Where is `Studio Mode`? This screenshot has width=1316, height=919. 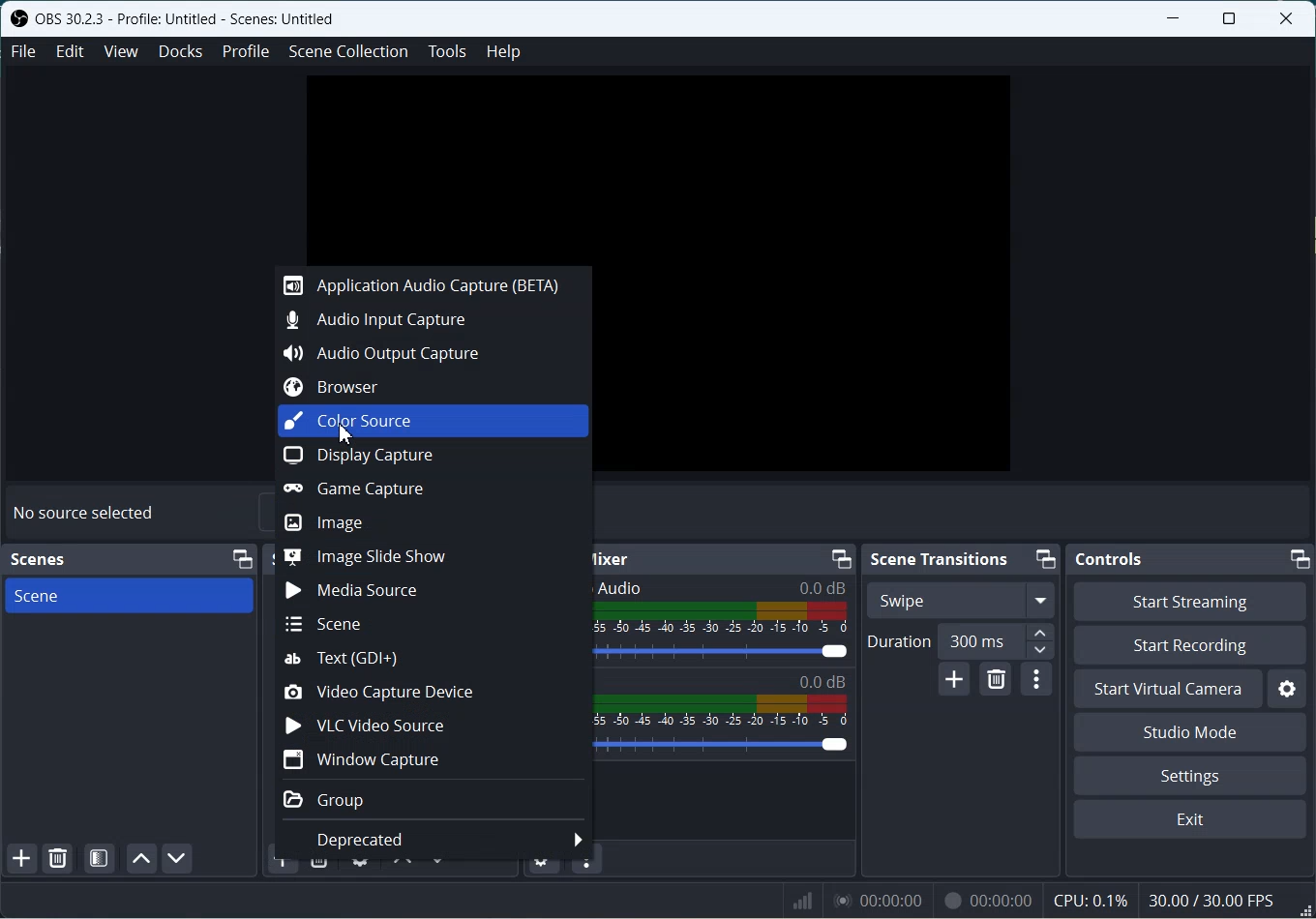 Studio Mode is located at coordinates (1189, 732).